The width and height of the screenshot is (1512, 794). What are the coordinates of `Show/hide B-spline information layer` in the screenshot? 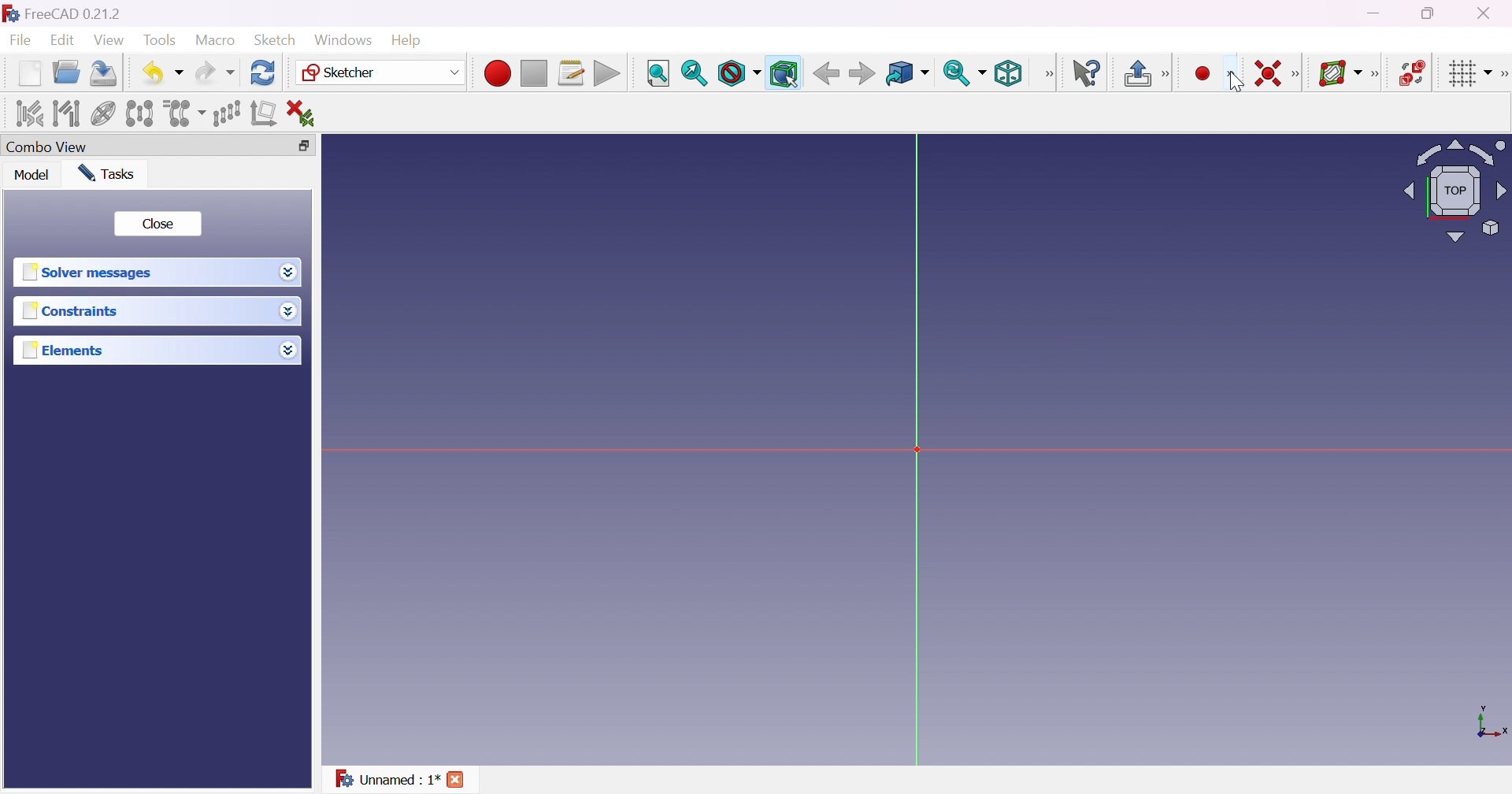 It's located at (1340, 74).